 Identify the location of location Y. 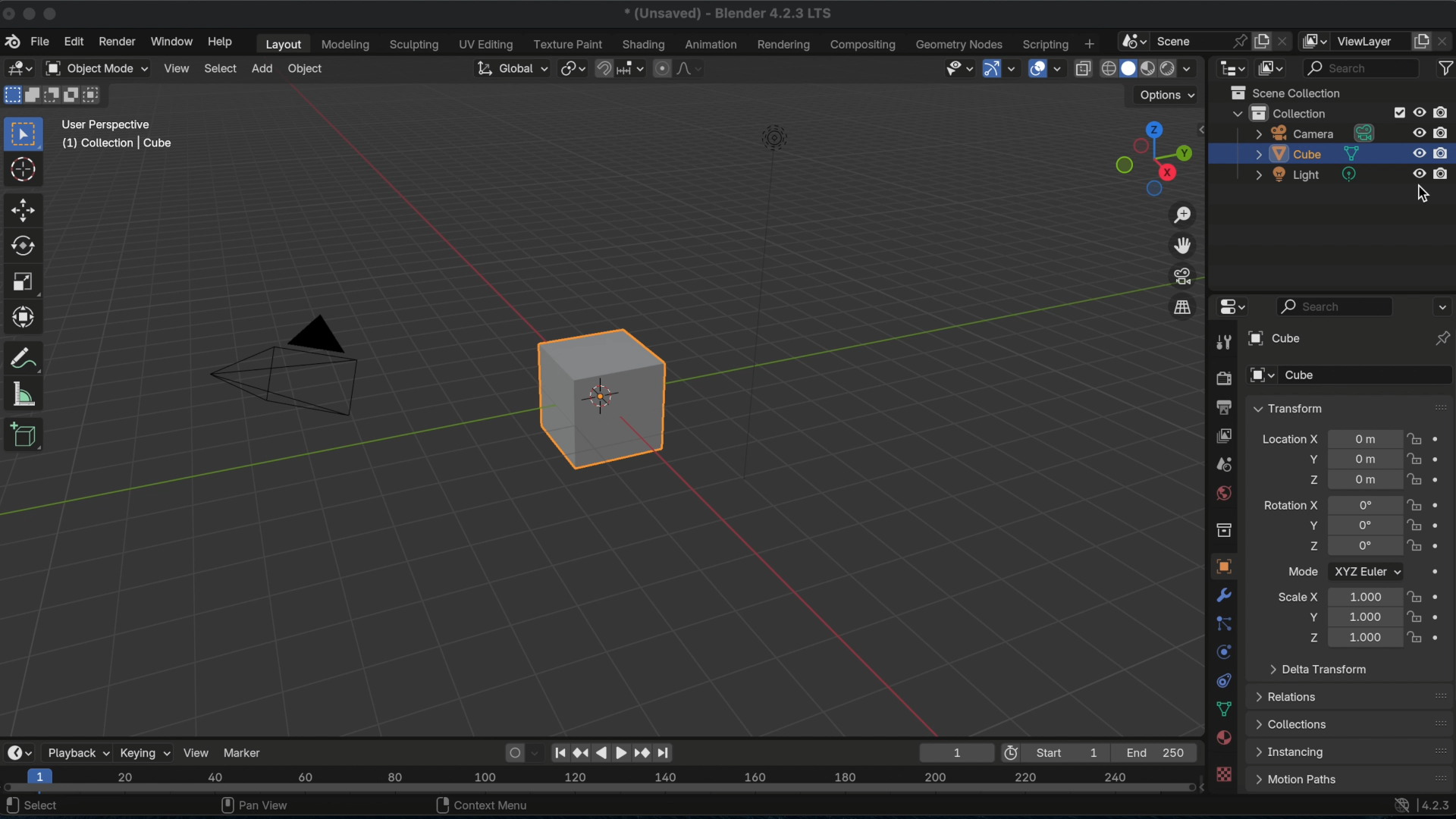
(1307, 460).